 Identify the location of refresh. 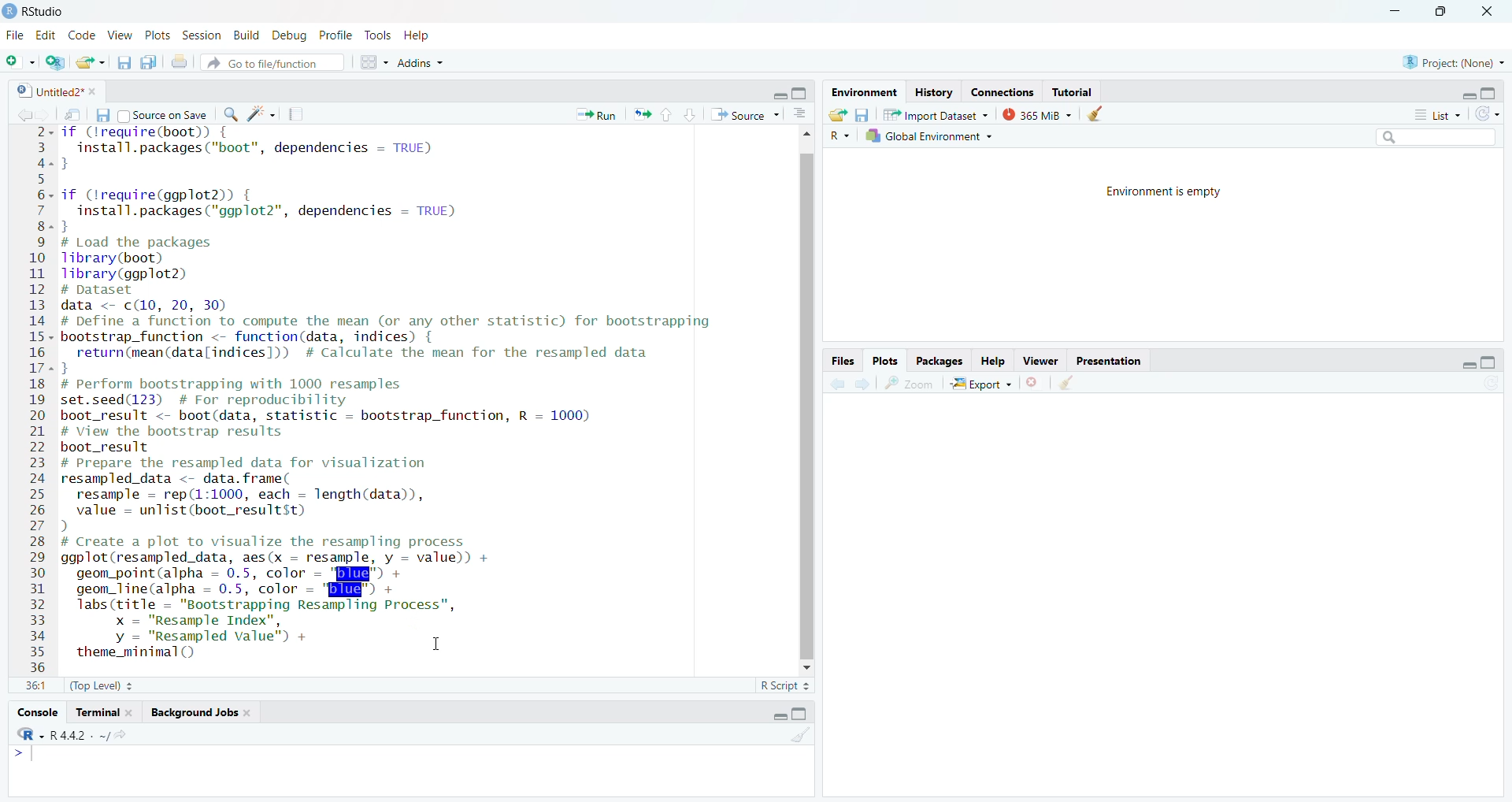
(1486, 113).